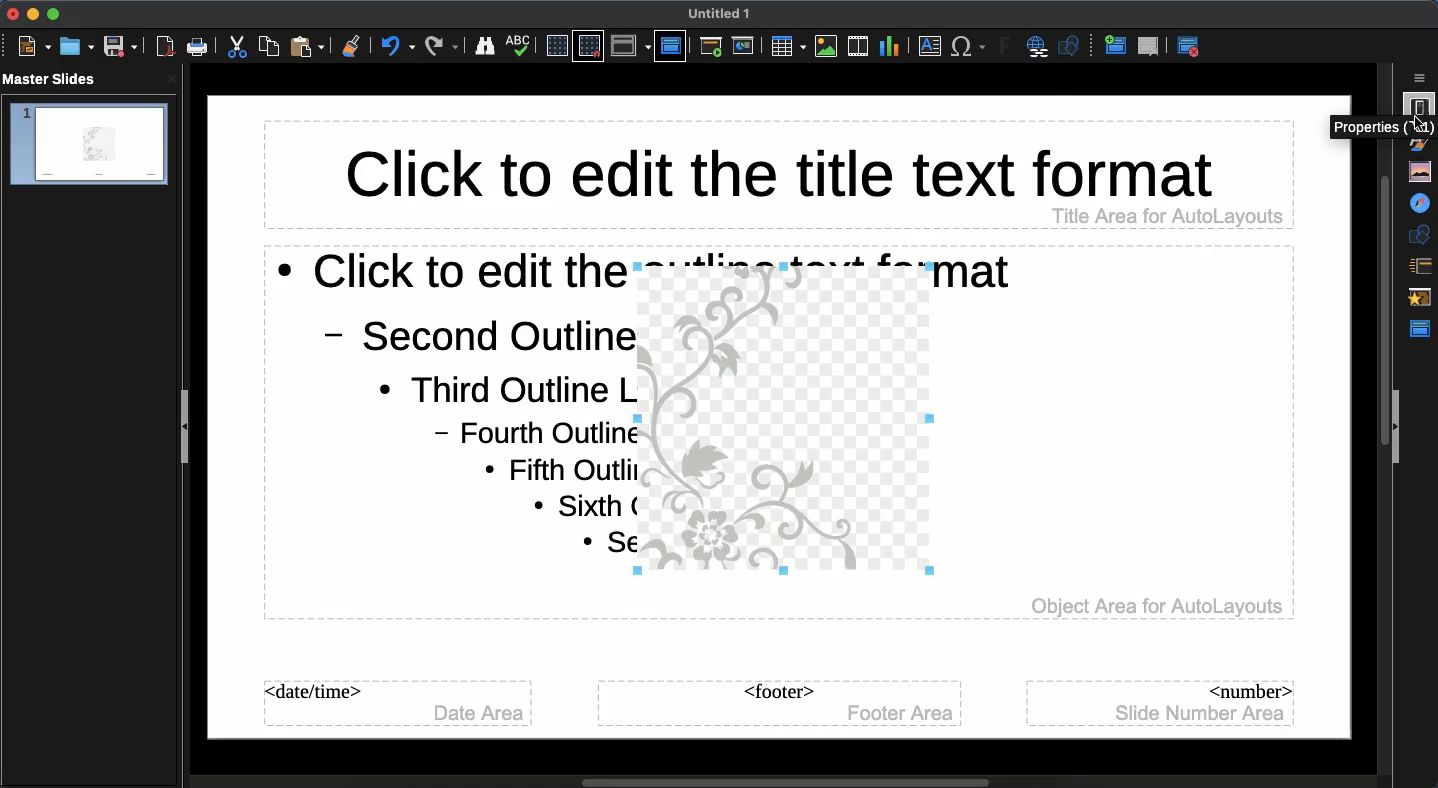  I want to click on New, so click(34, 47).